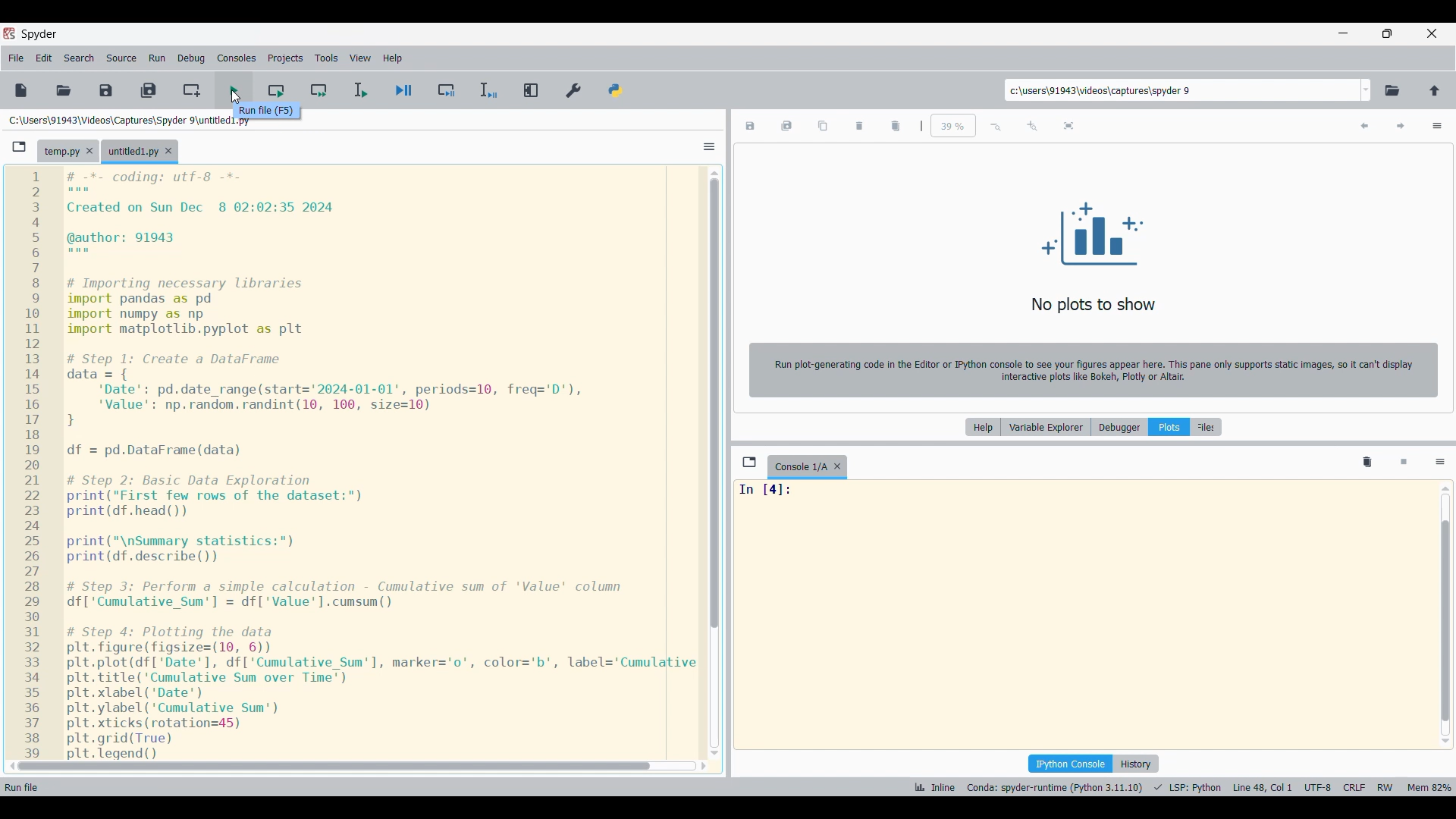 This screenshot has height=819, width=1456. I want to click on Debugger, so click(1120, 427).